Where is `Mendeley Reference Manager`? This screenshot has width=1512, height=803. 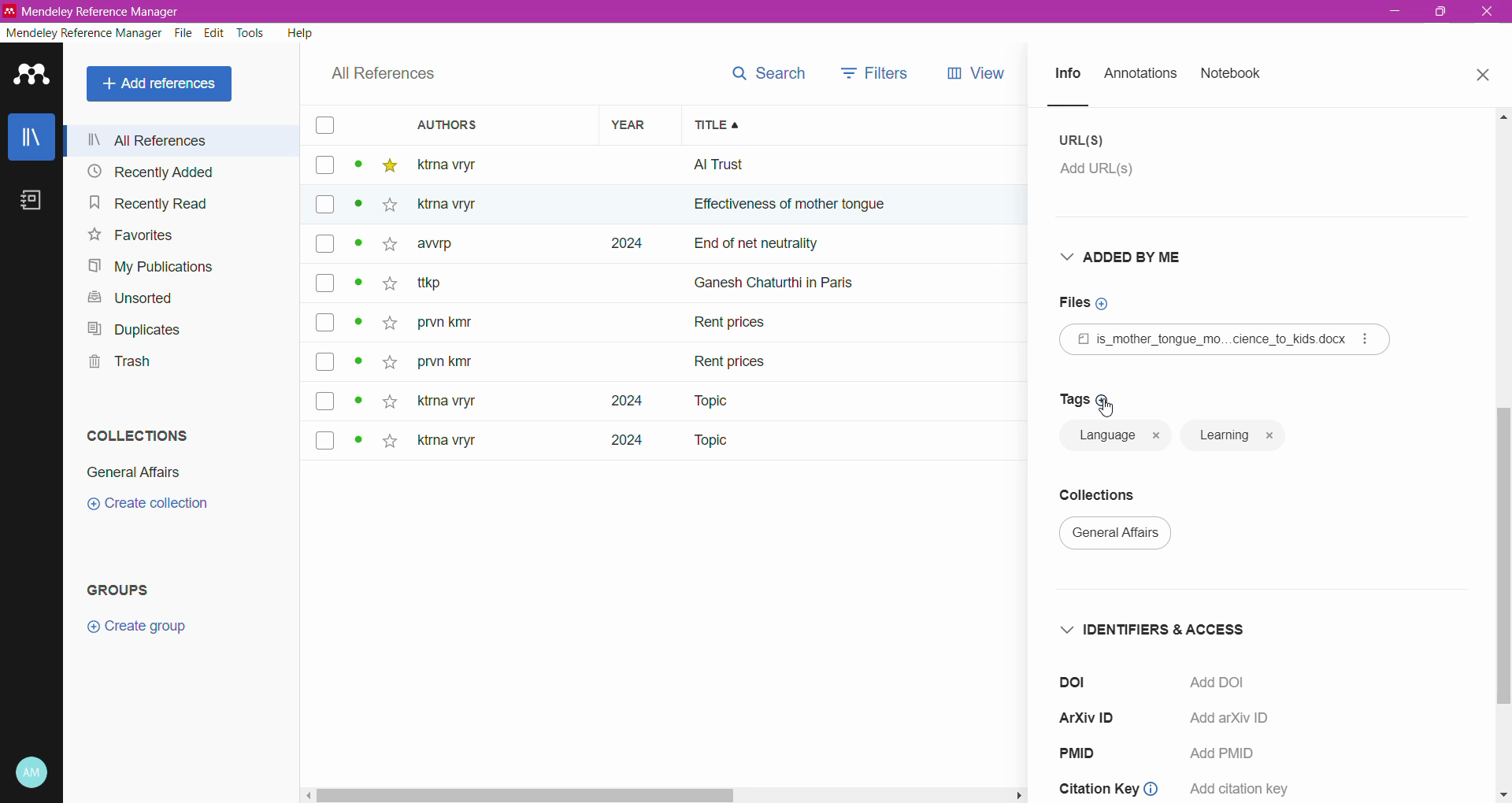
Mendeley Reference Manager is located at coordinates (83, 33).